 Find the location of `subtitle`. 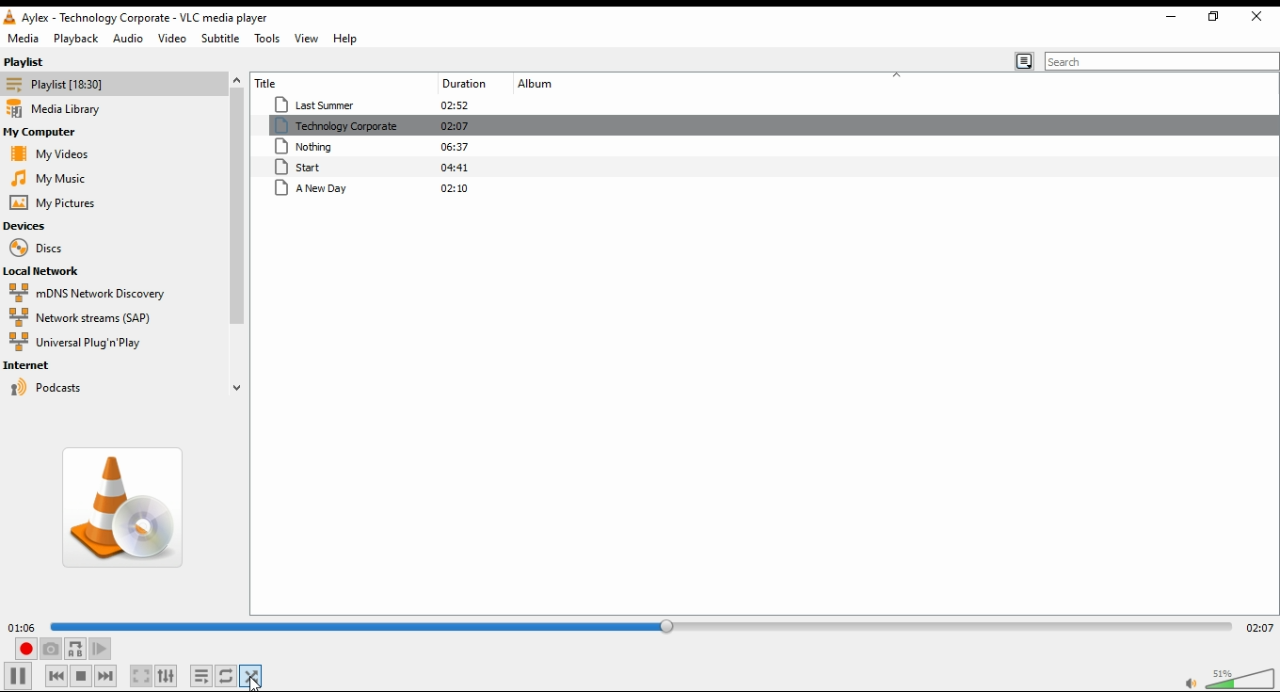

subtitle is located at coordinates (218, 41).